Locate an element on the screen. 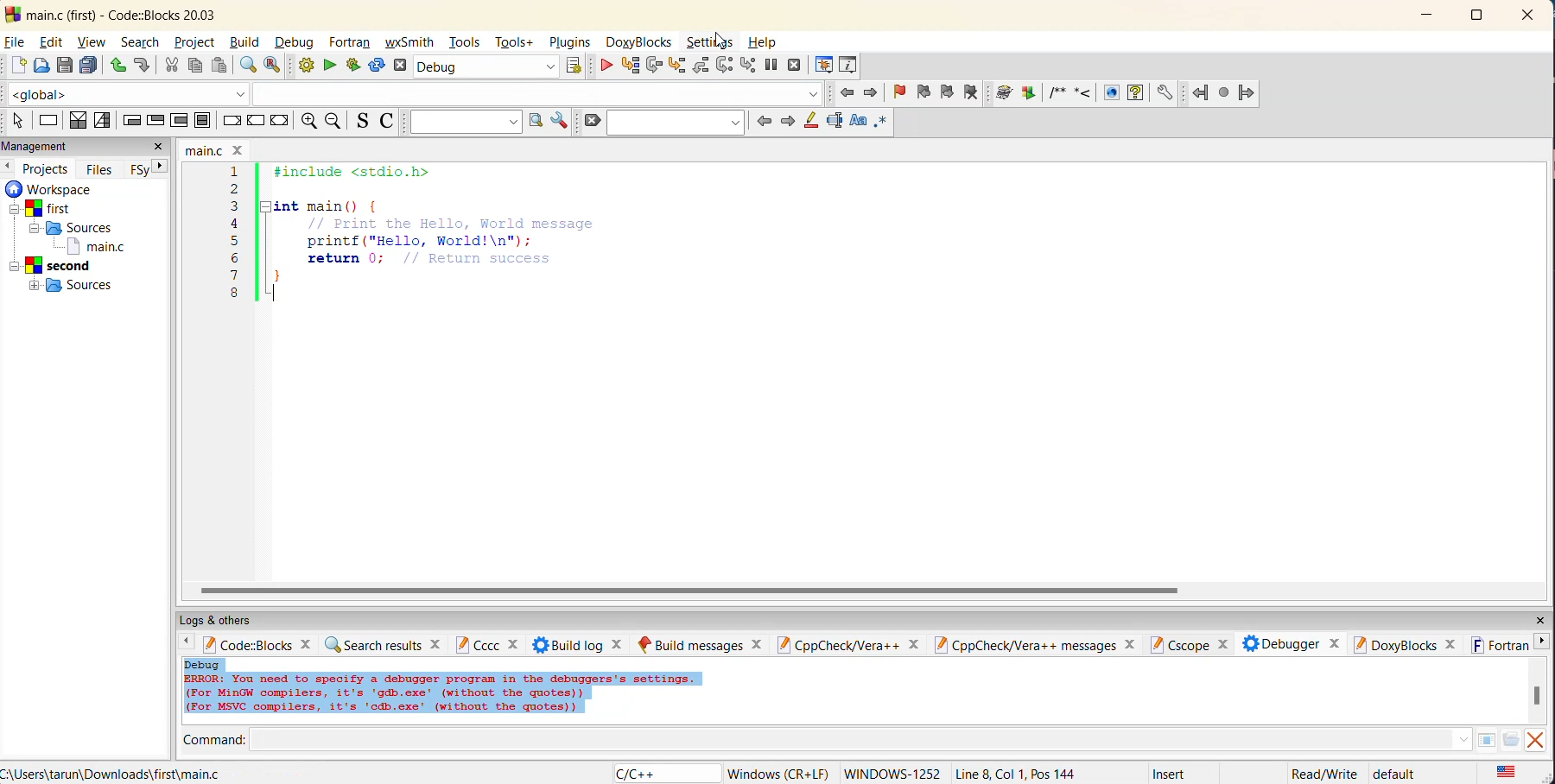 The height and width of the screenshot is (784, 1555). Read/Write is located at coordinates (1323, 773).